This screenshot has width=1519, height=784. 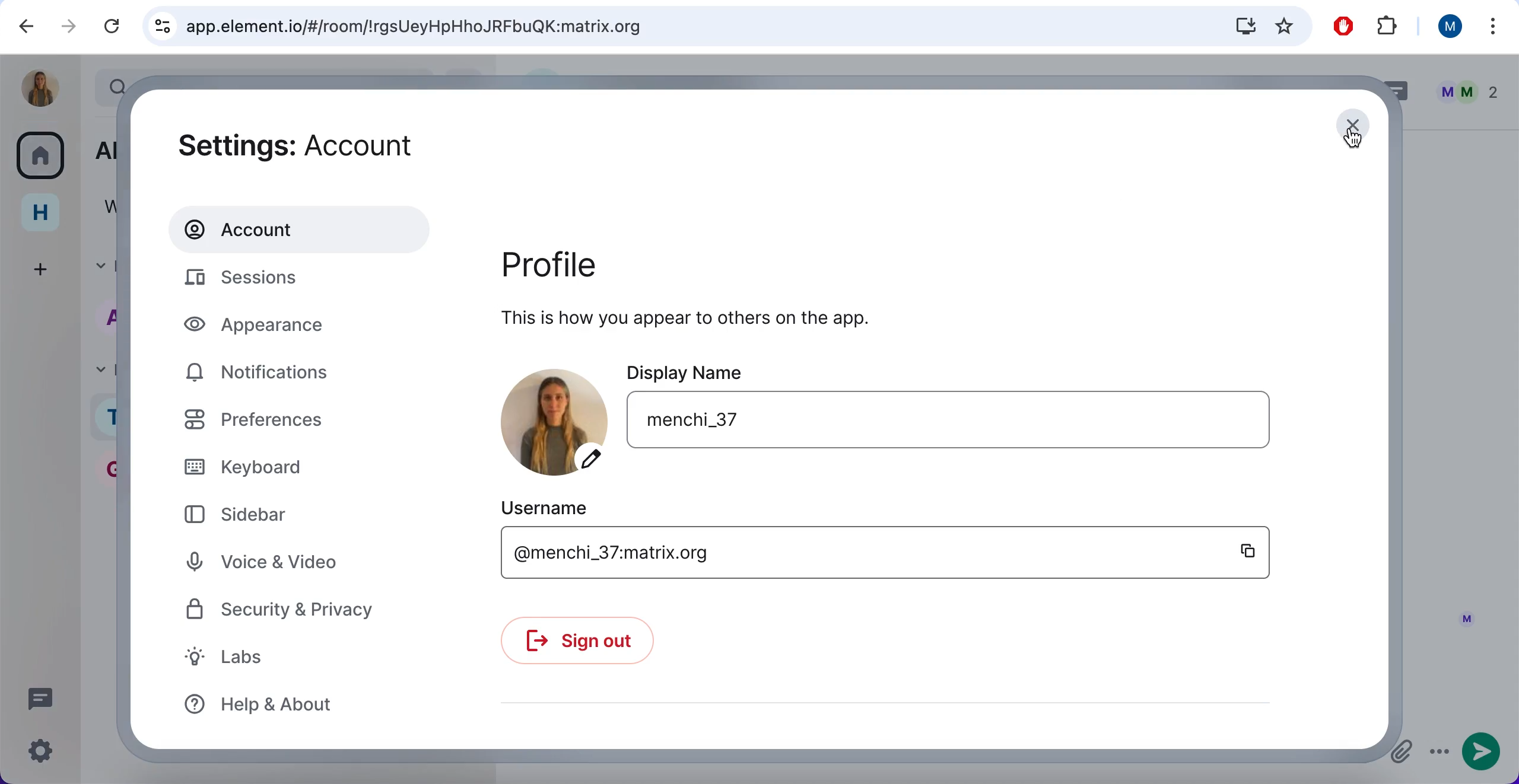 I want to click on send, so click(x=1482, y=754).